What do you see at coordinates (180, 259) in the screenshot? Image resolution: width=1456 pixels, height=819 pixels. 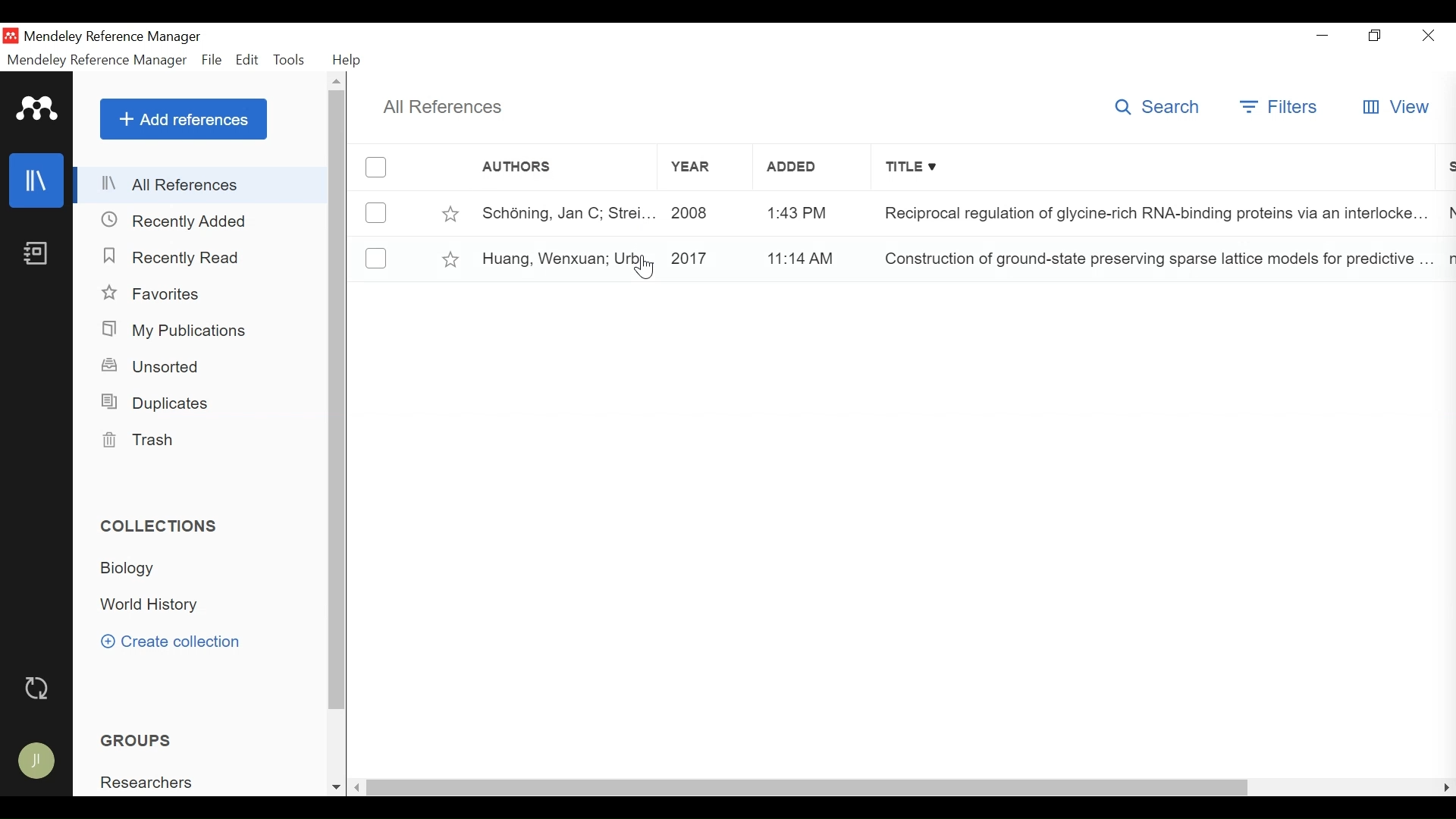 I see `Recently Read` at bounding box center [180, 259].